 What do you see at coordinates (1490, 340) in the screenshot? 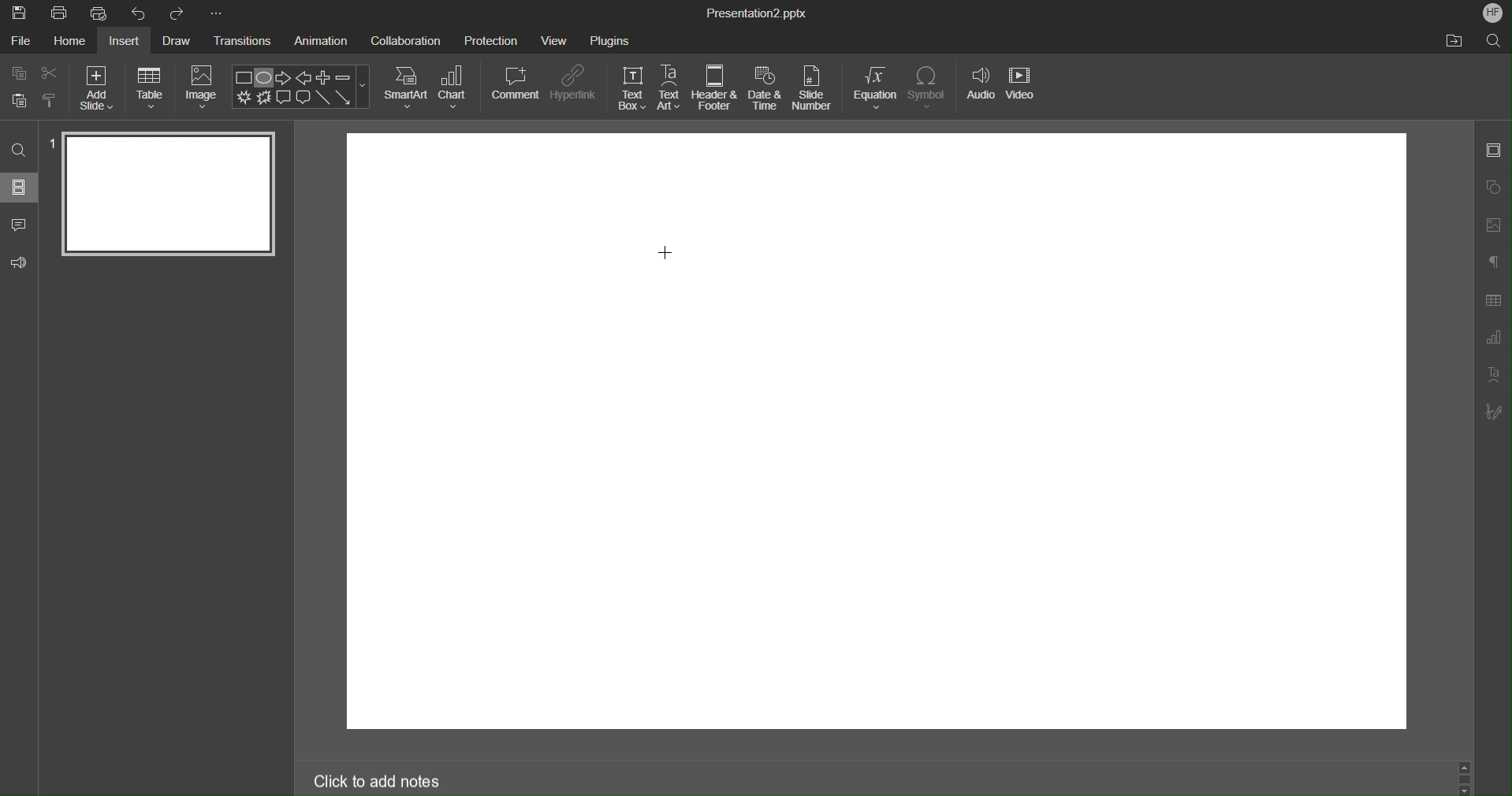
I see `Graph Settings` at bounding box center [1490, 340].